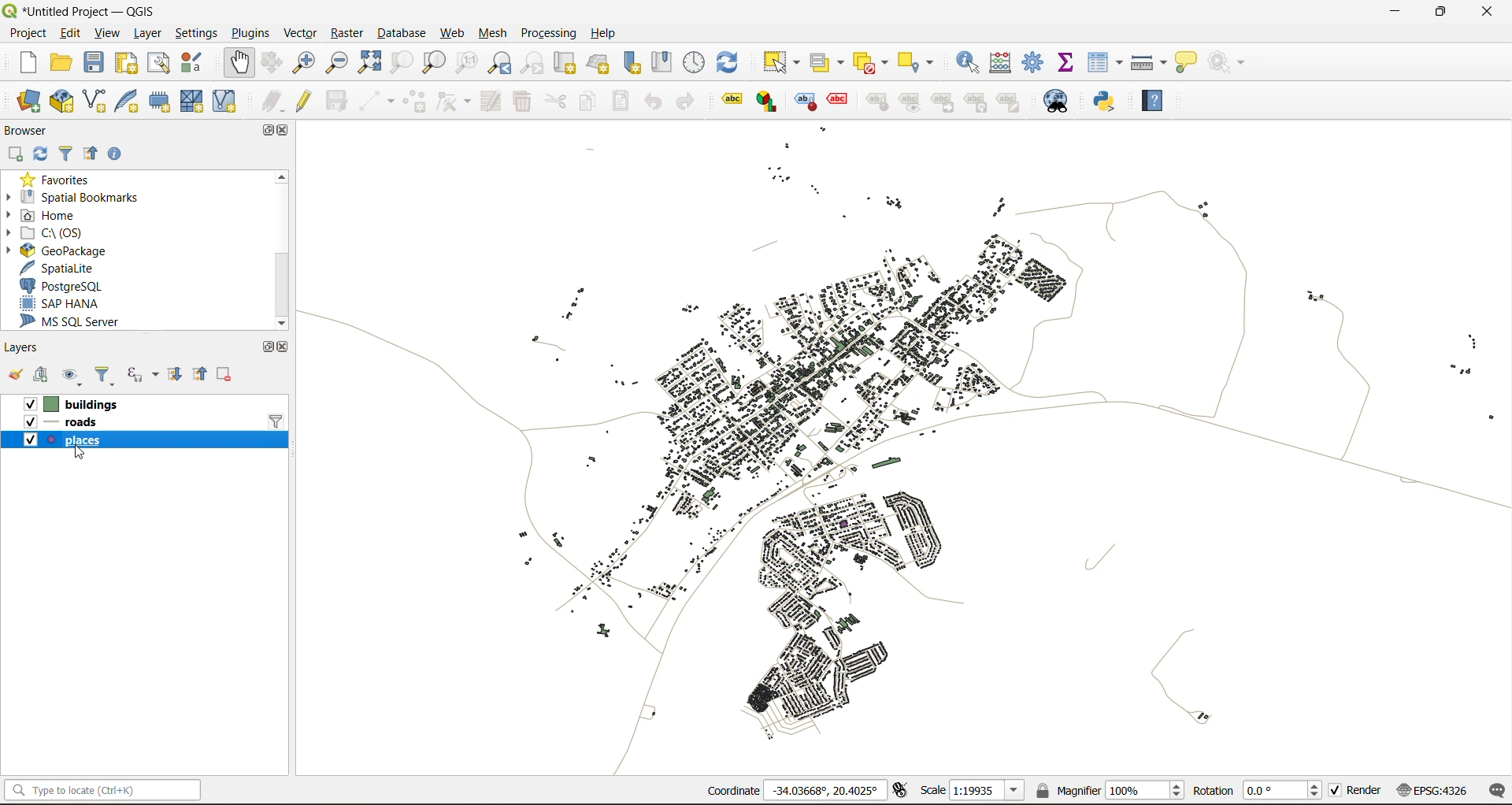 Image resolution: width=1512 pixels, height=805 pixels. What do you see at coordinates (65, 304) in the screenshot?
I see `sap hana` at bounding box center [65, 304].